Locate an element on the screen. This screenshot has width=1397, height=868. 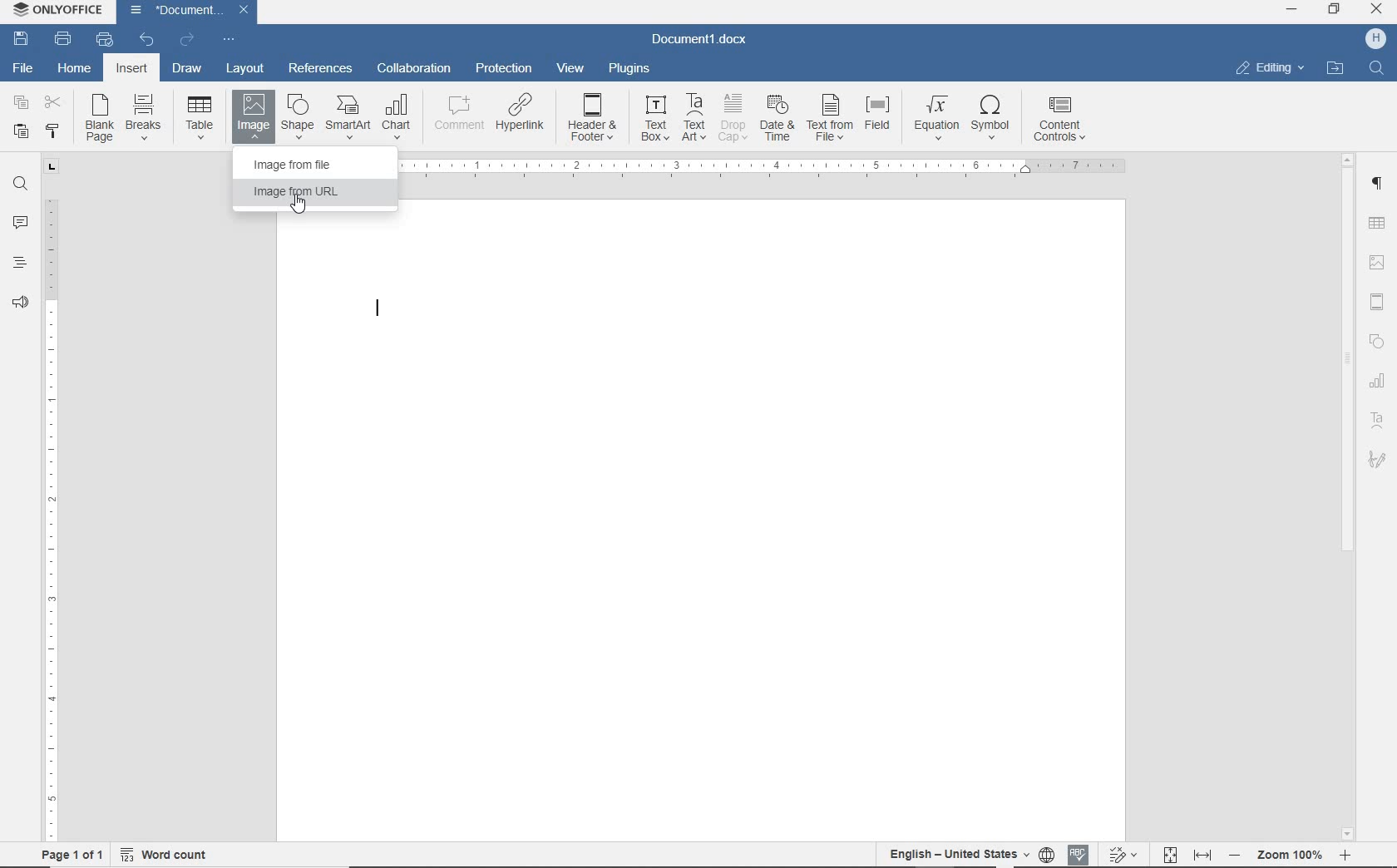
Document1.docx(document name) is located at coordinates (698, 40).